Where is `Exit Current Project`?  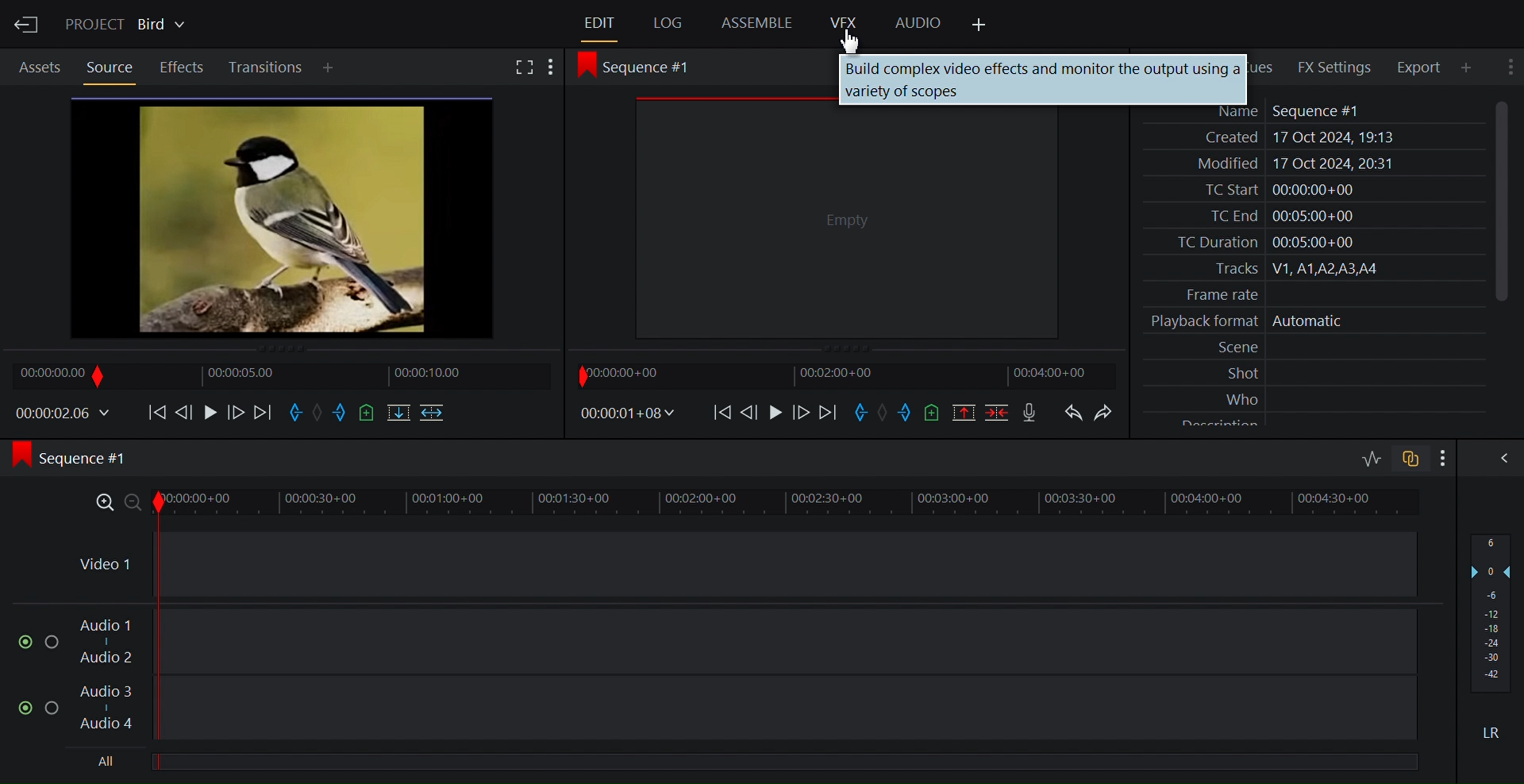
Exit Current Project is located at coordinates (28, 22).